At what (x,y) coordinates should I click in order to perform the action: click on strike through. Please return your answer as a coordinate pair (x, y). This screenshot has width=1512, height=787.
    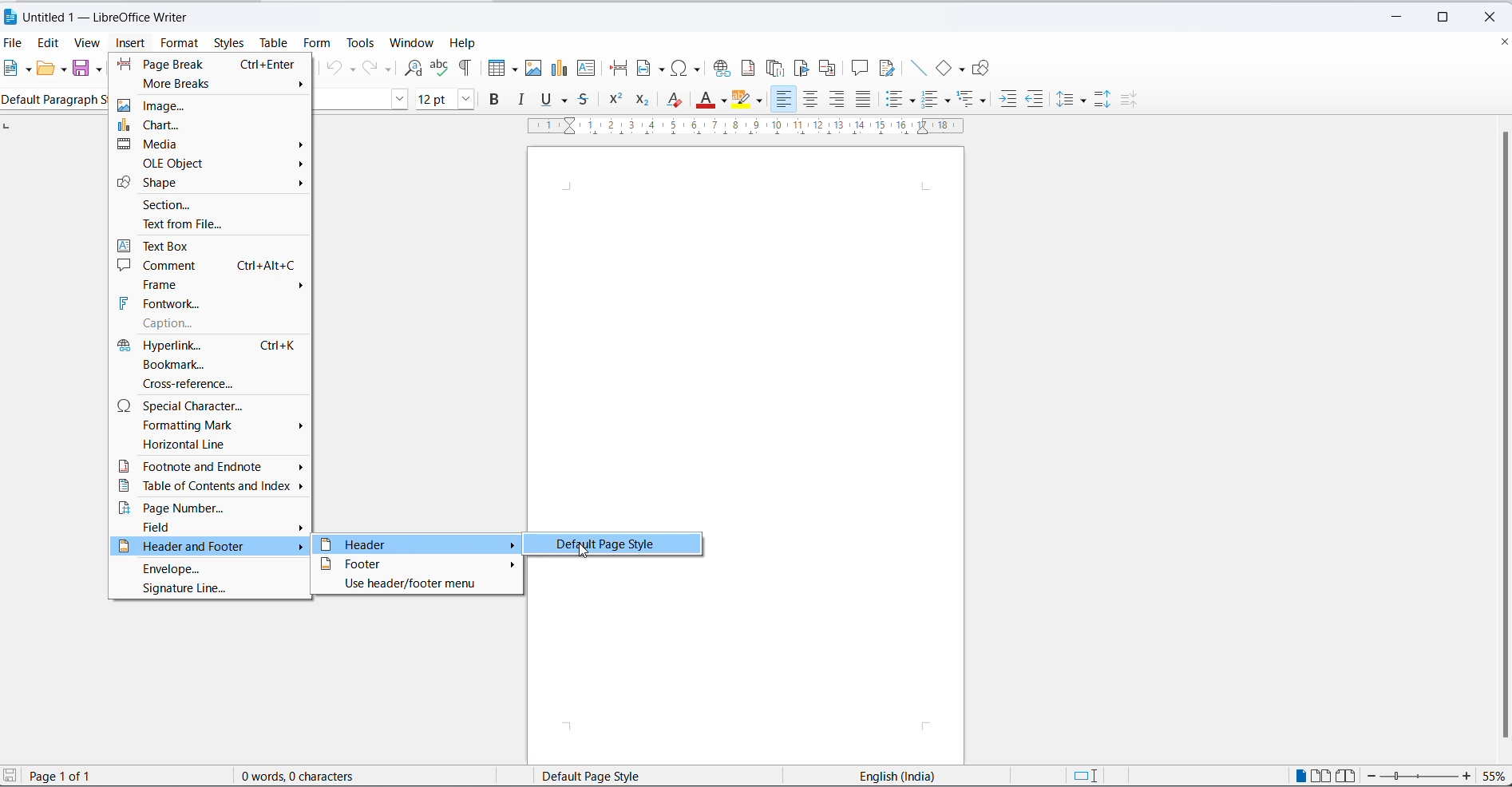
    Looking at the image, I should click on (584, 101).